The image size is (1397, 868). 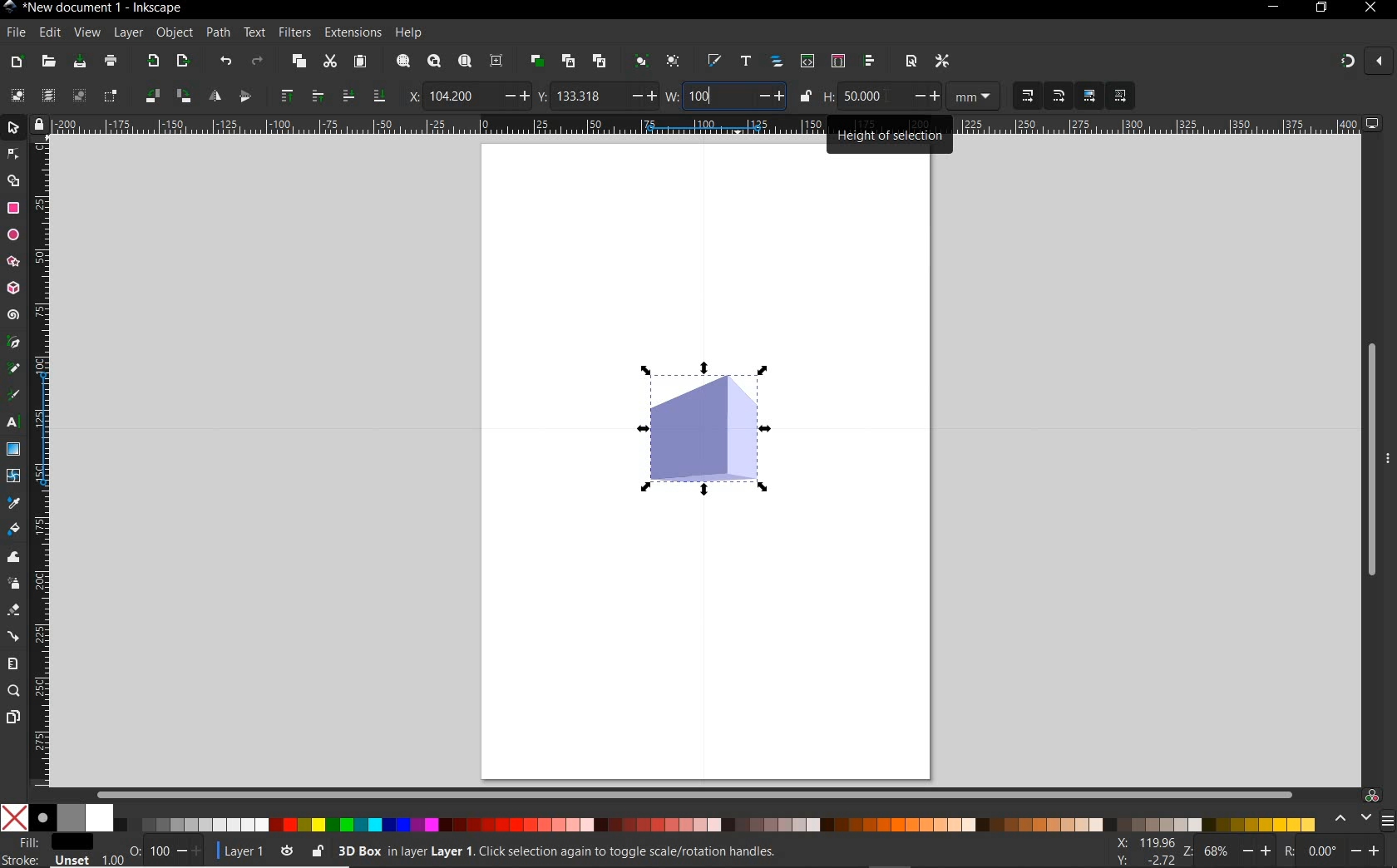 What do you see at coordinates (134, 845) in the screenshot?
I see `nothing selected` at bounding box center [134, 845].